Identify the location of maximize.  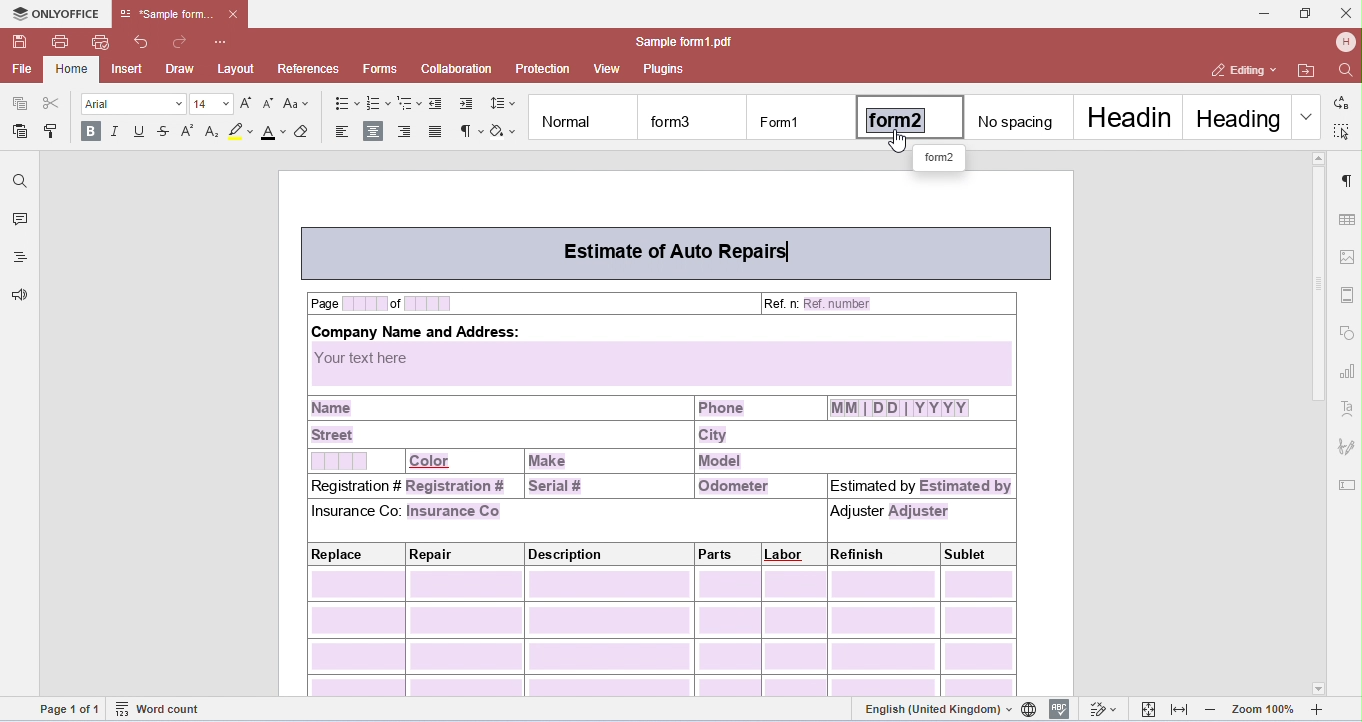
(1304, 12).